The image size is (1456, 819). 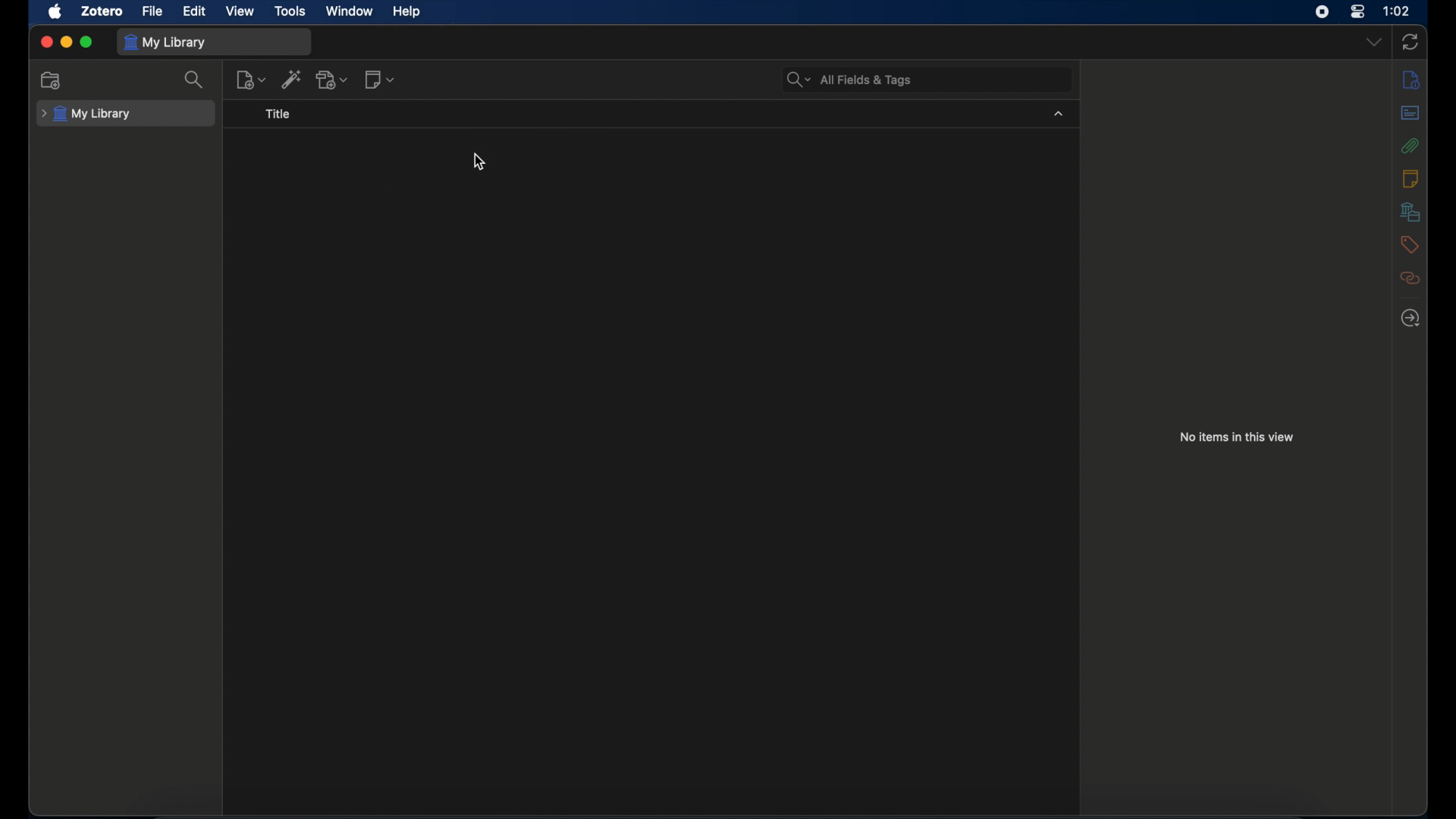 What do you see at coordinates (1373, 41) in the screenshot?
I see `dropdown` at bounding box center [1373, 41].